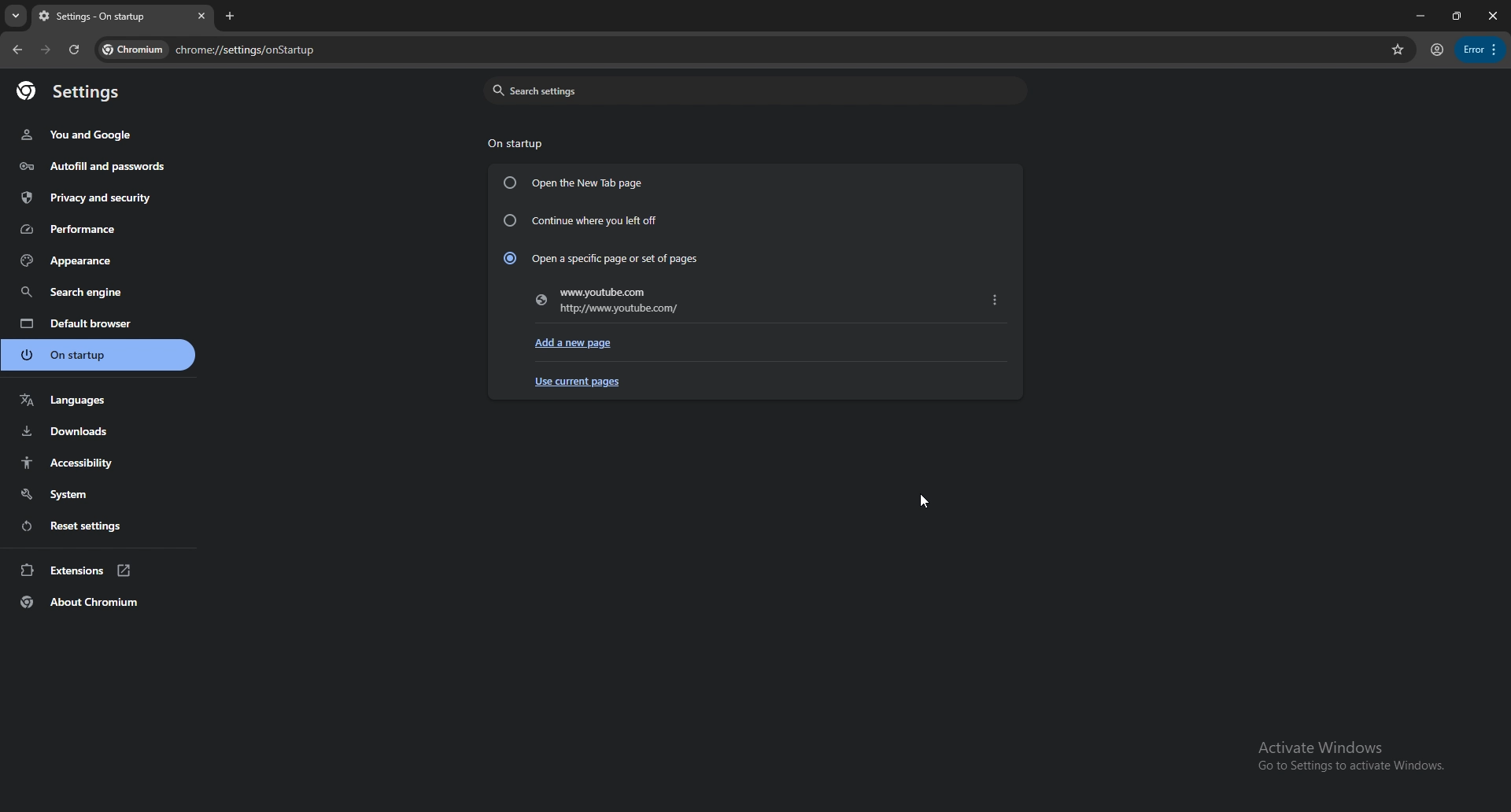 The width and height of the screenshot is (1511, 812). What do you see at coordinates (580, 382) in the screenshot?
I see `use current pages` at bounding box center [580, 382].